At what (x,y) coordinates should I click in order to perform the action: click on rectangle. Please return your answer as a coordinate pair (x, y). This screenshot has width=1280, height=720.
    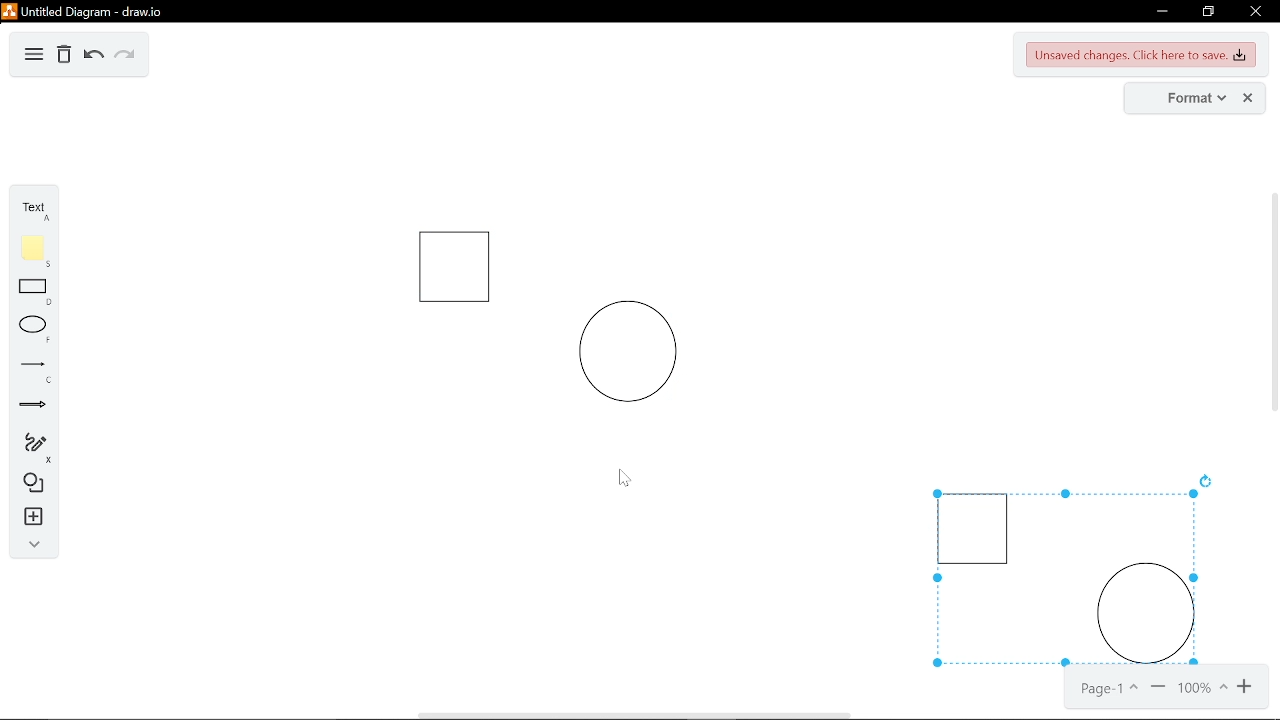
    Looking at the image, I should click on (34, 293).